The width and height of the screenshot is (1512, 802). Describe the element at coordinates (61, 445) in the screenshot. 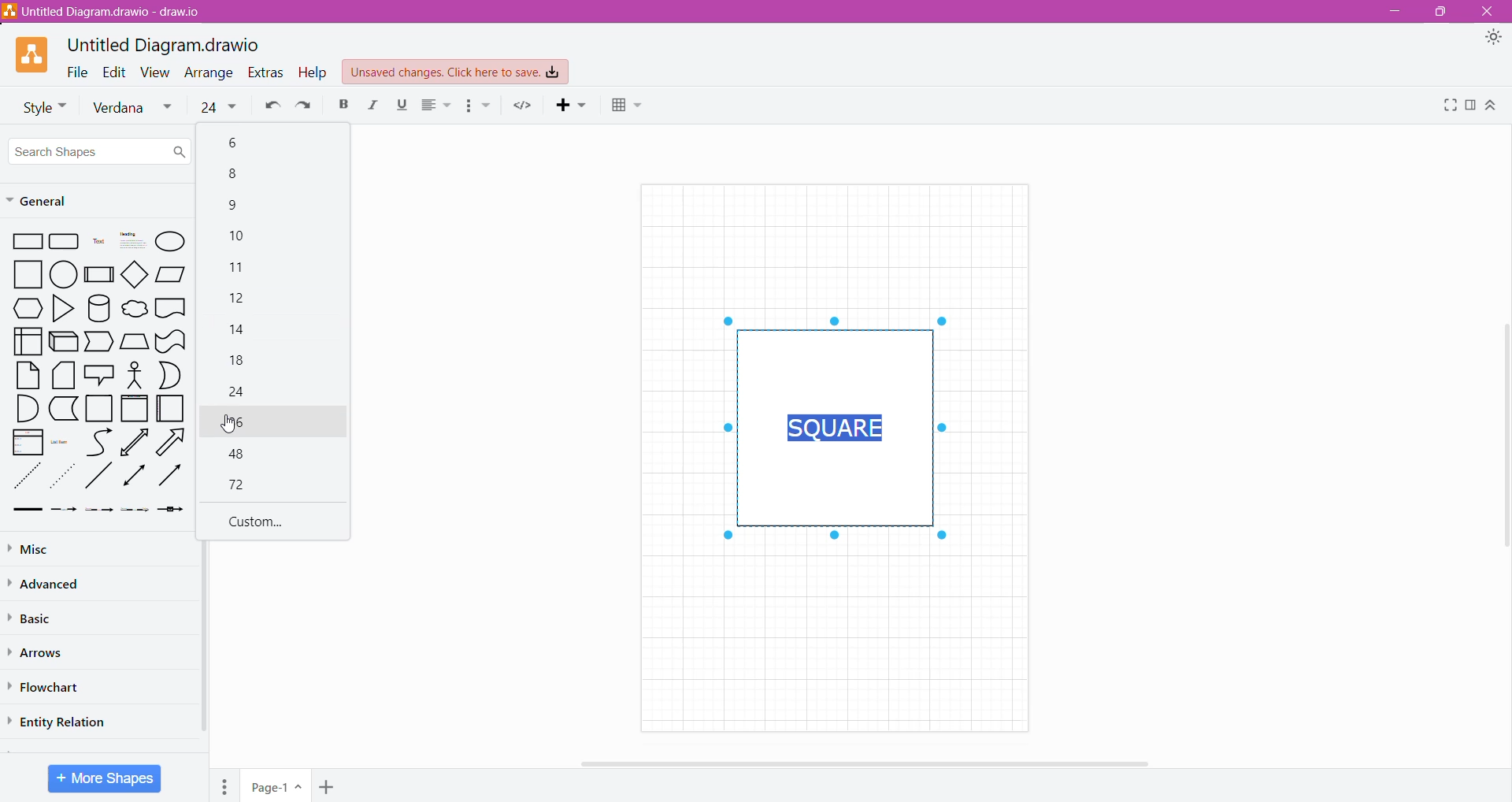

I see `List Item` at that location.